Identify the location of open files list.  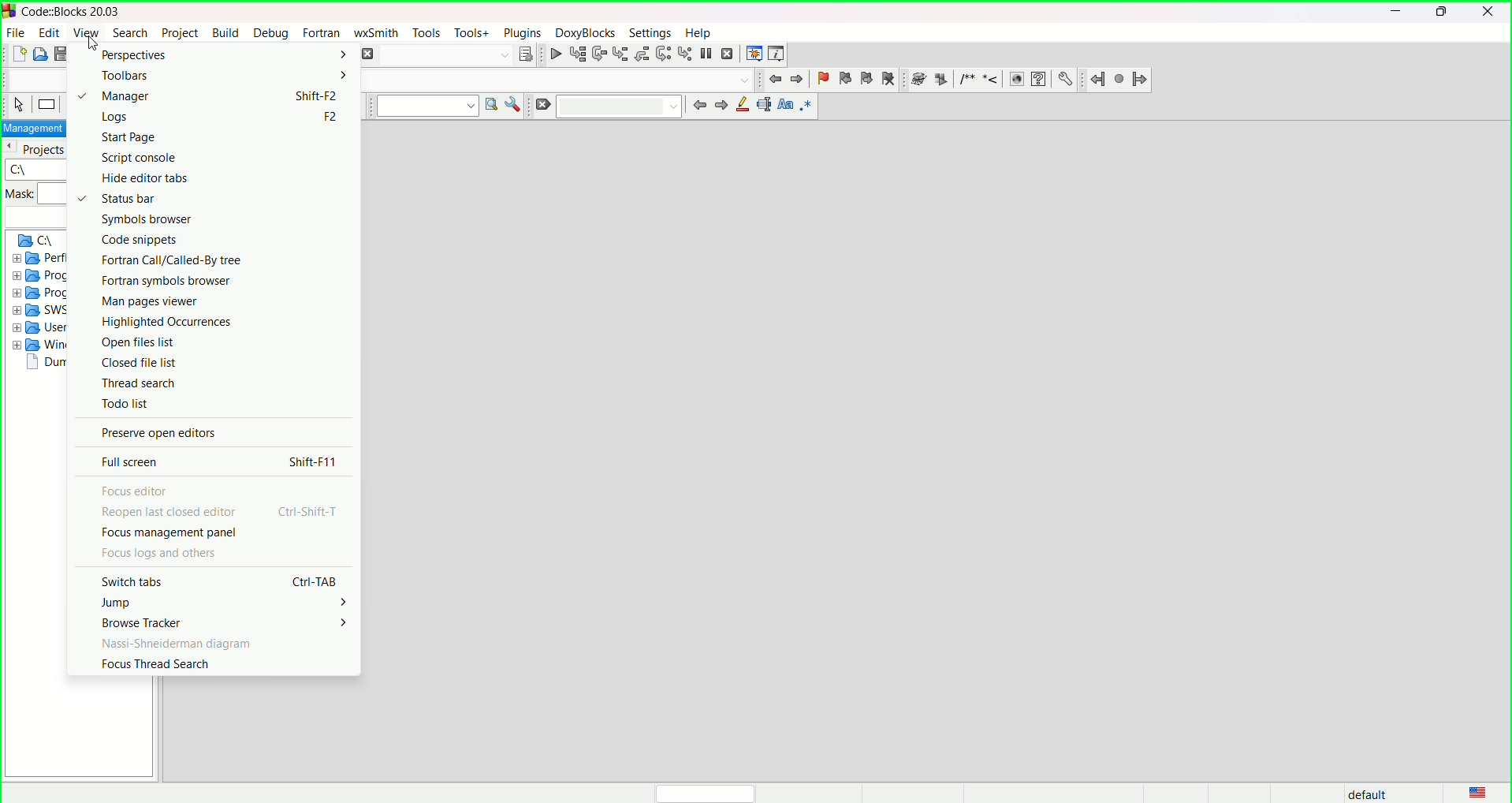
(139, 341).